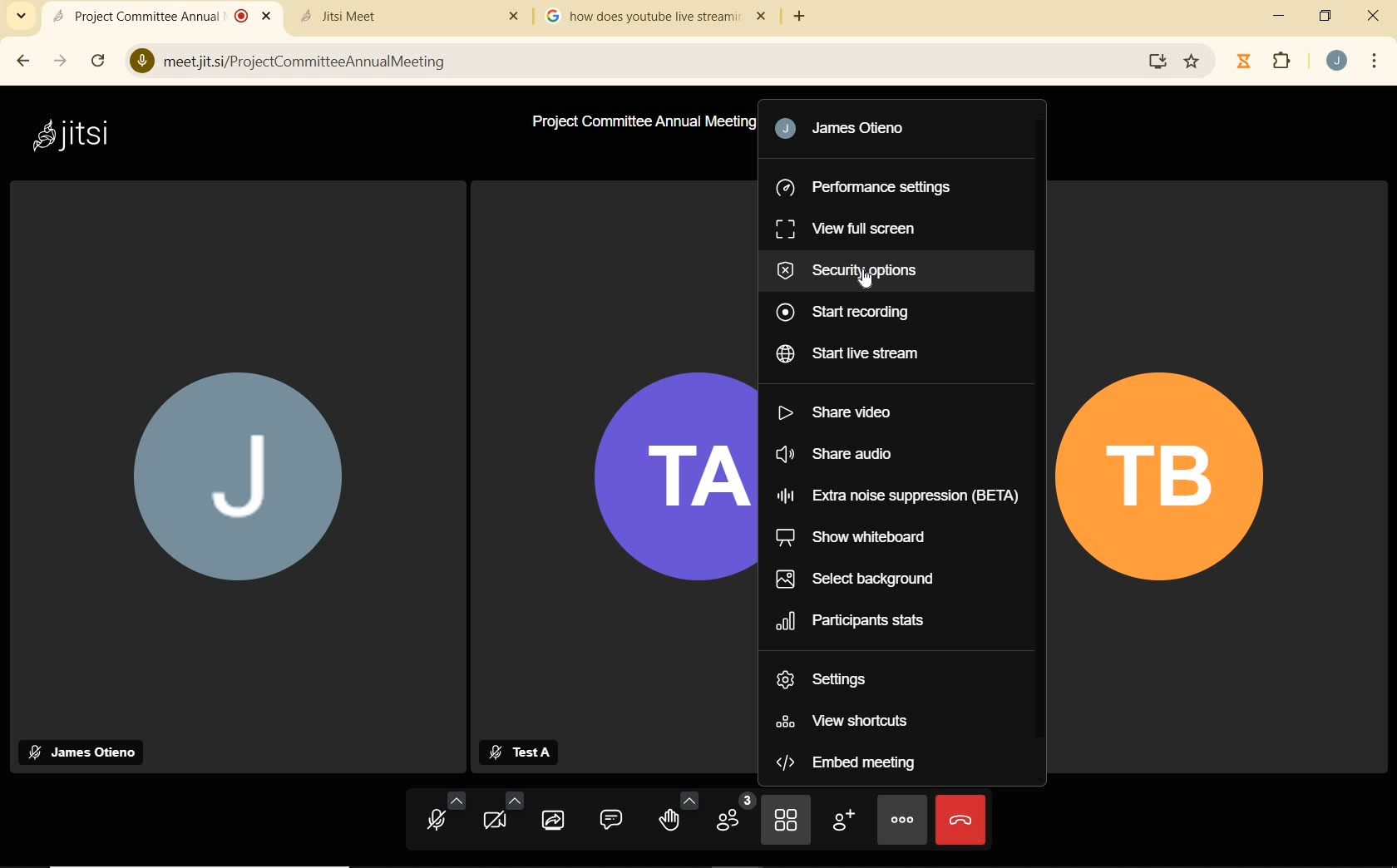 The width and height of the screenshot is (1397, 868). Describe the element at coordinates (659, 472) in the screenshot. I see `TA` at that location.